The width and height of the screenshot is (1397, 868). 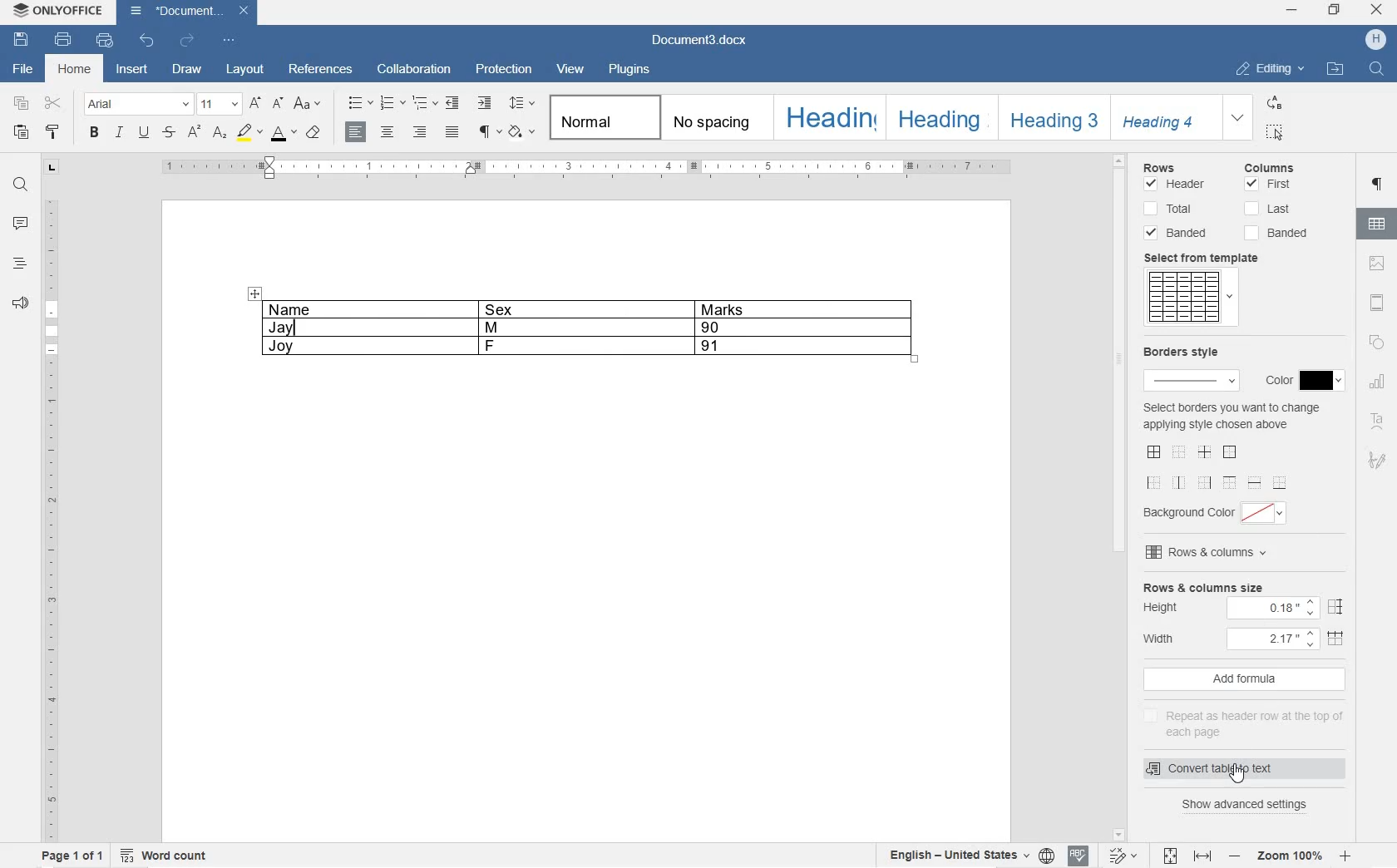 What do you see at coordinates (1378, 418) in the screenshot?
I see `TEXT ART` at bounding box center [1378, 418].